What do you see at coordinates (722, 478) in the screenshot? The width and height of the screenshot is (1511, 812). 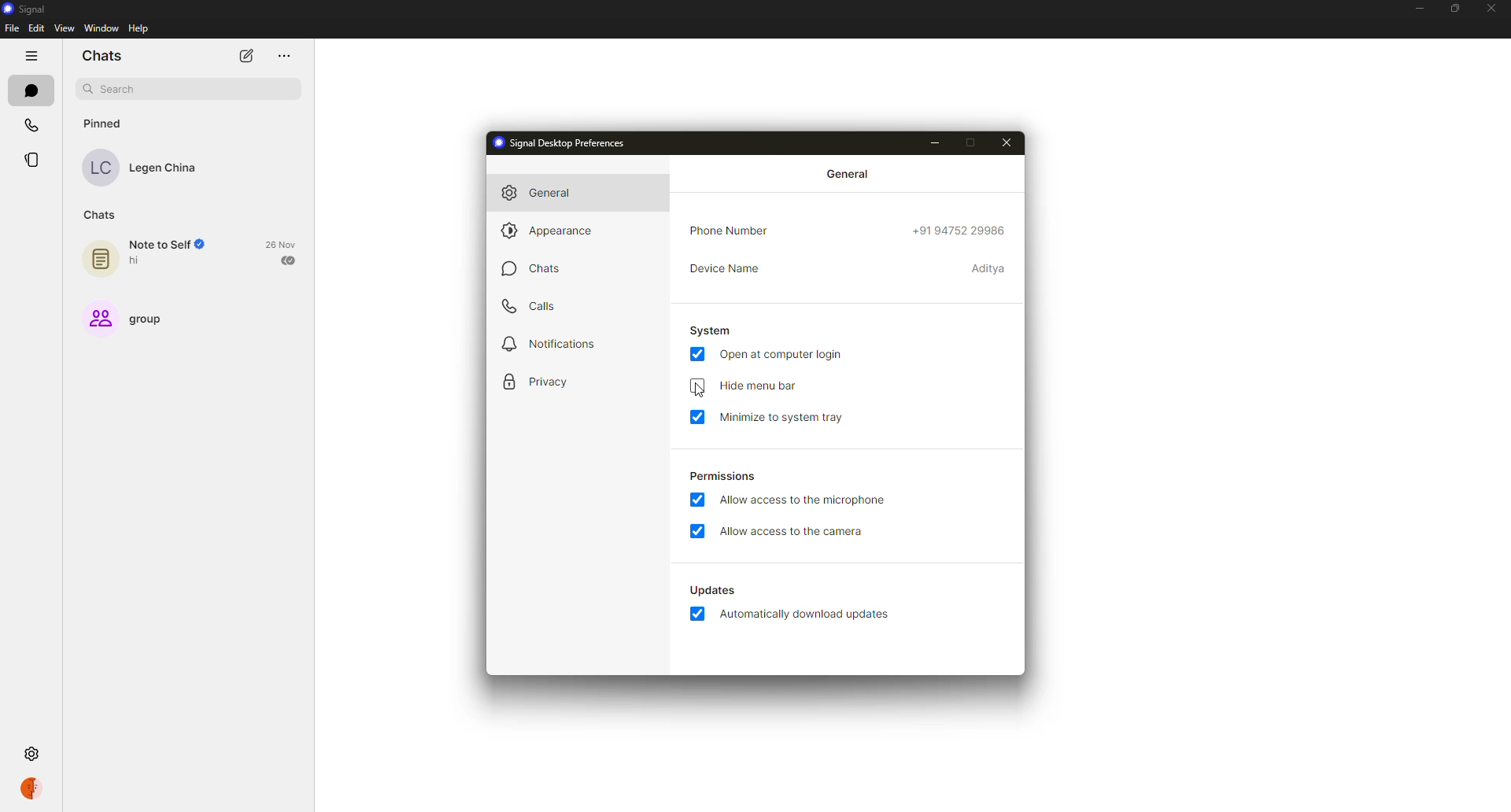 I see `permissions` at bounding box center [722, 478].